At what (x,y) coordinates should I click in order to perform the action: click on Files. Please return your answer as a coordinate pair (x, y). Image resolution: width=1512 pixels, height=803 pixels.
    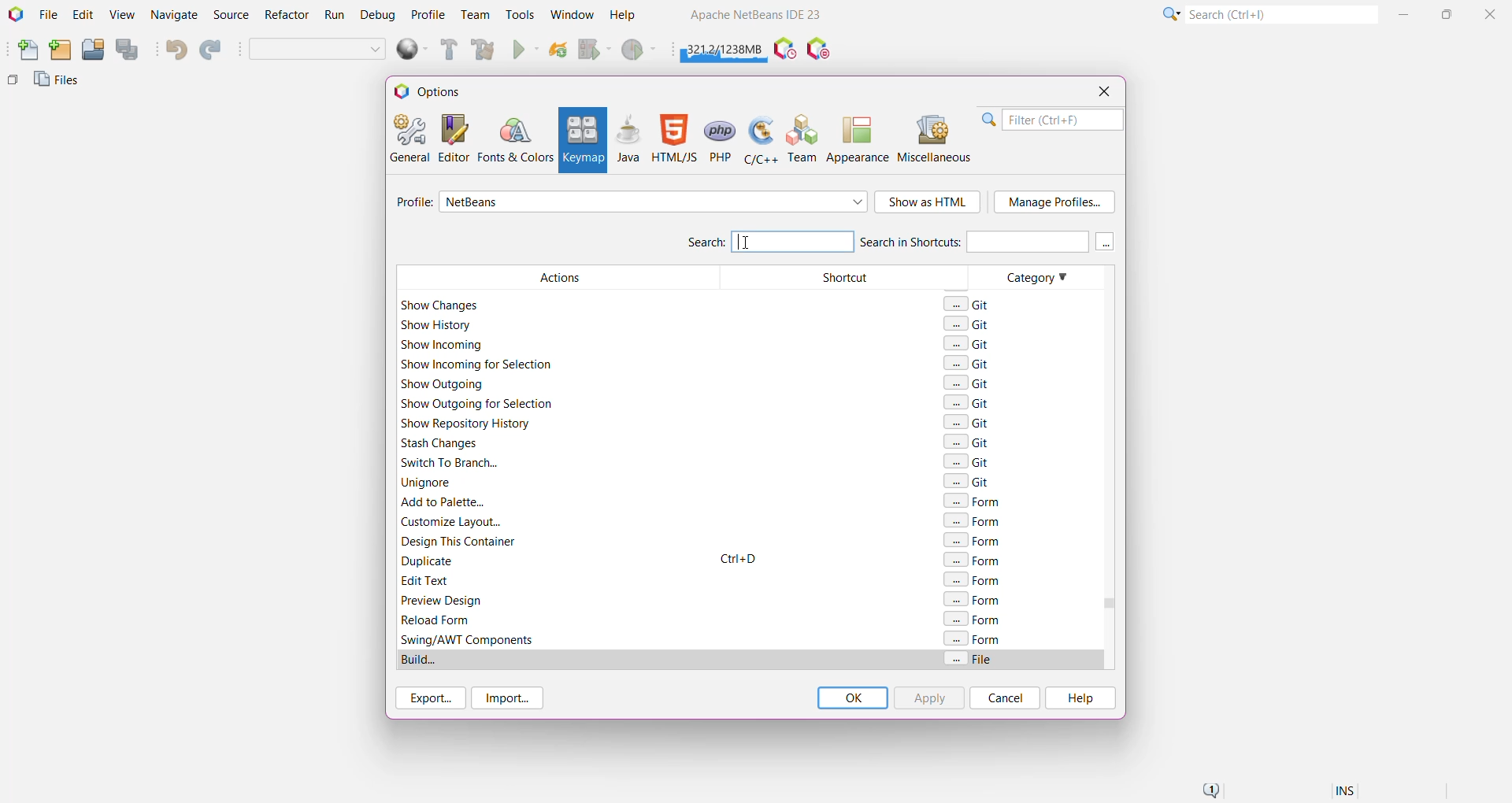
    Looking at the image, I should click on (59, 83).